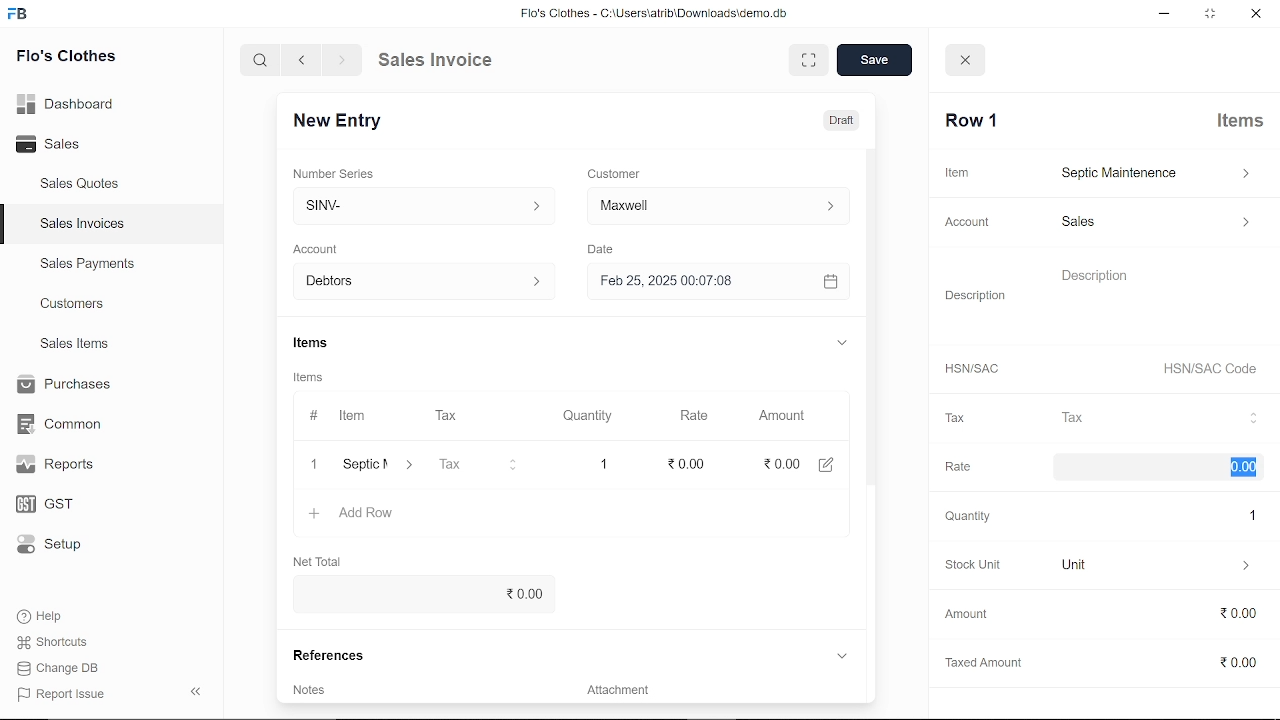 Image resolution: width=1280 pixels, height=720 pixels. What do you see at coordinates (976, 293) in the screenshot?
I see `Description` at bounding box center [976, 293].